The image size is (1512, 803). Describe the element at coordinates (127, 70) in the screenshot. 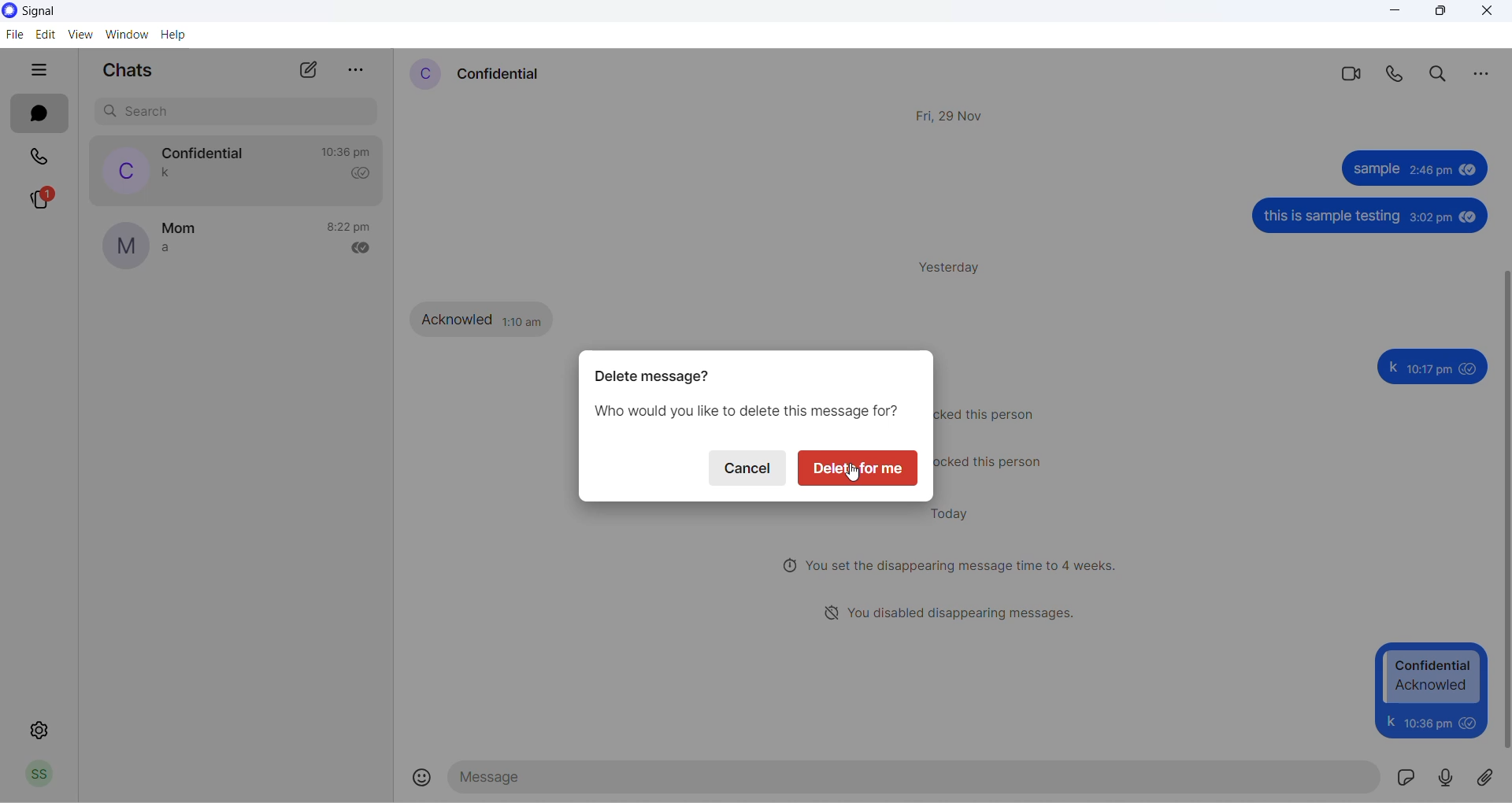

I see `chats heading` at that location.